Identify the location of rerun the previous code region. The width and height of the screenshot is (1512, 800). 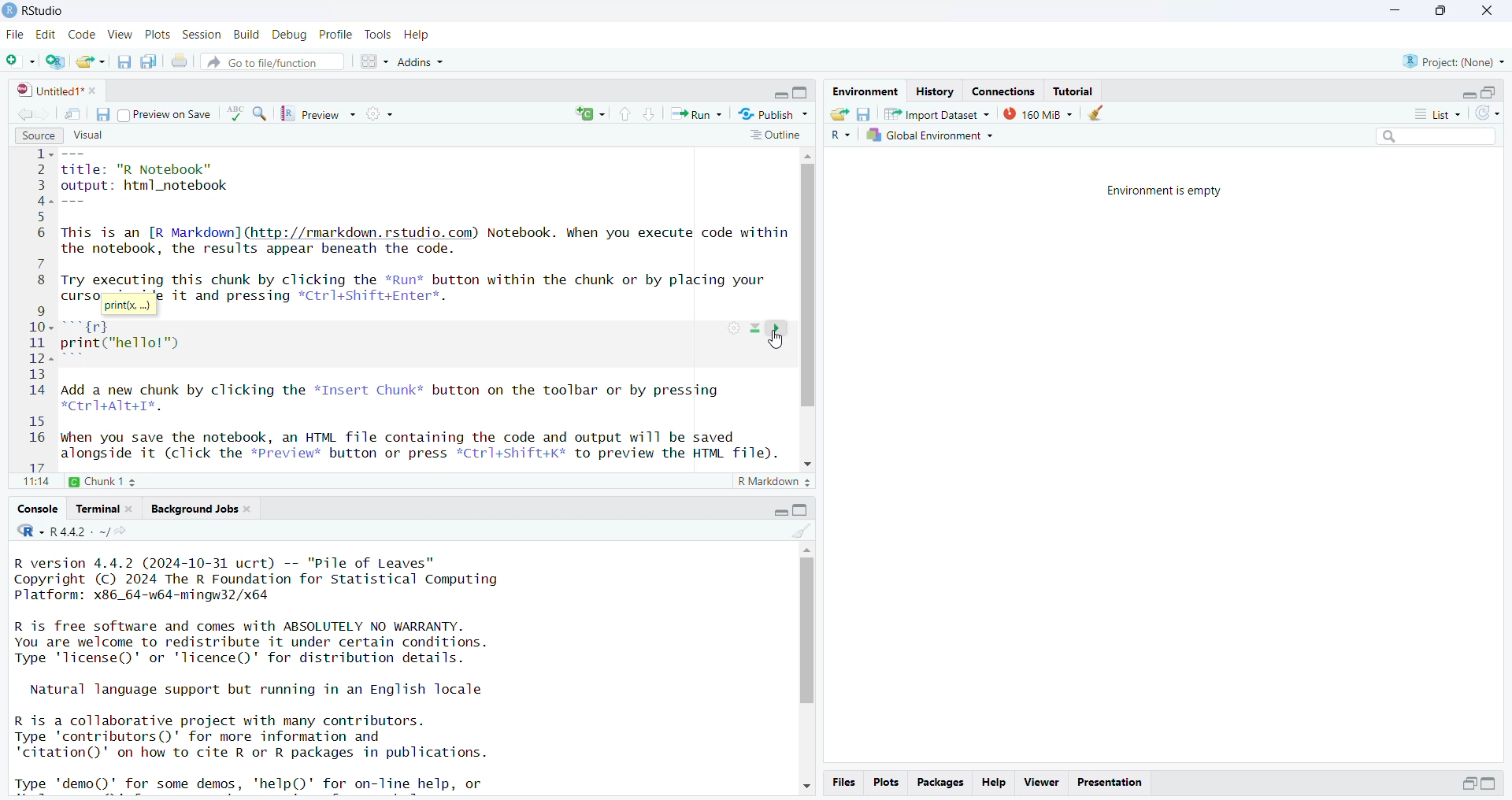
(589, 114).